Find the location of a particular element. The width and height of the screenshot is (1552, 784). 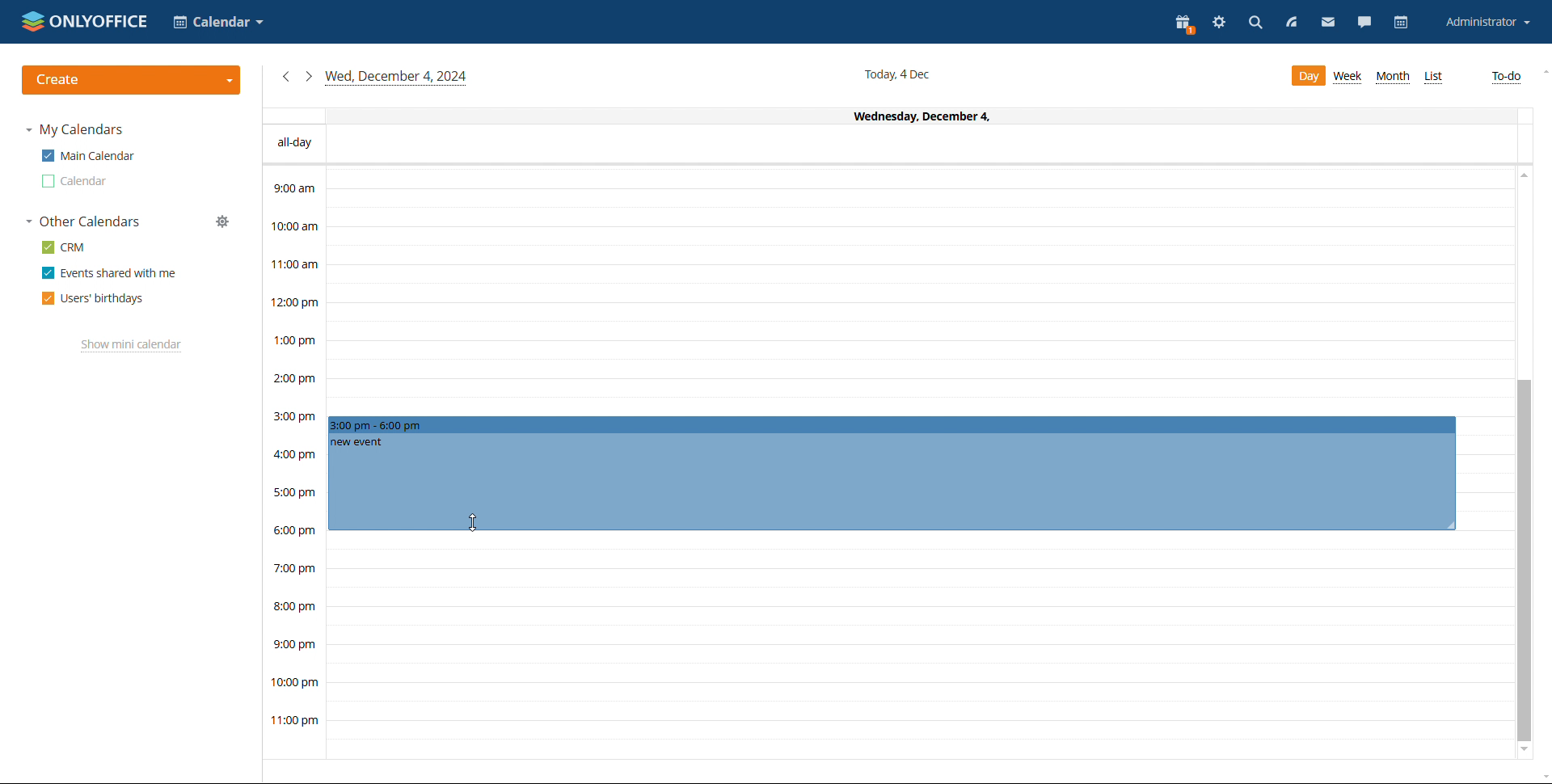

feed is located at coordinates (1289, 23).